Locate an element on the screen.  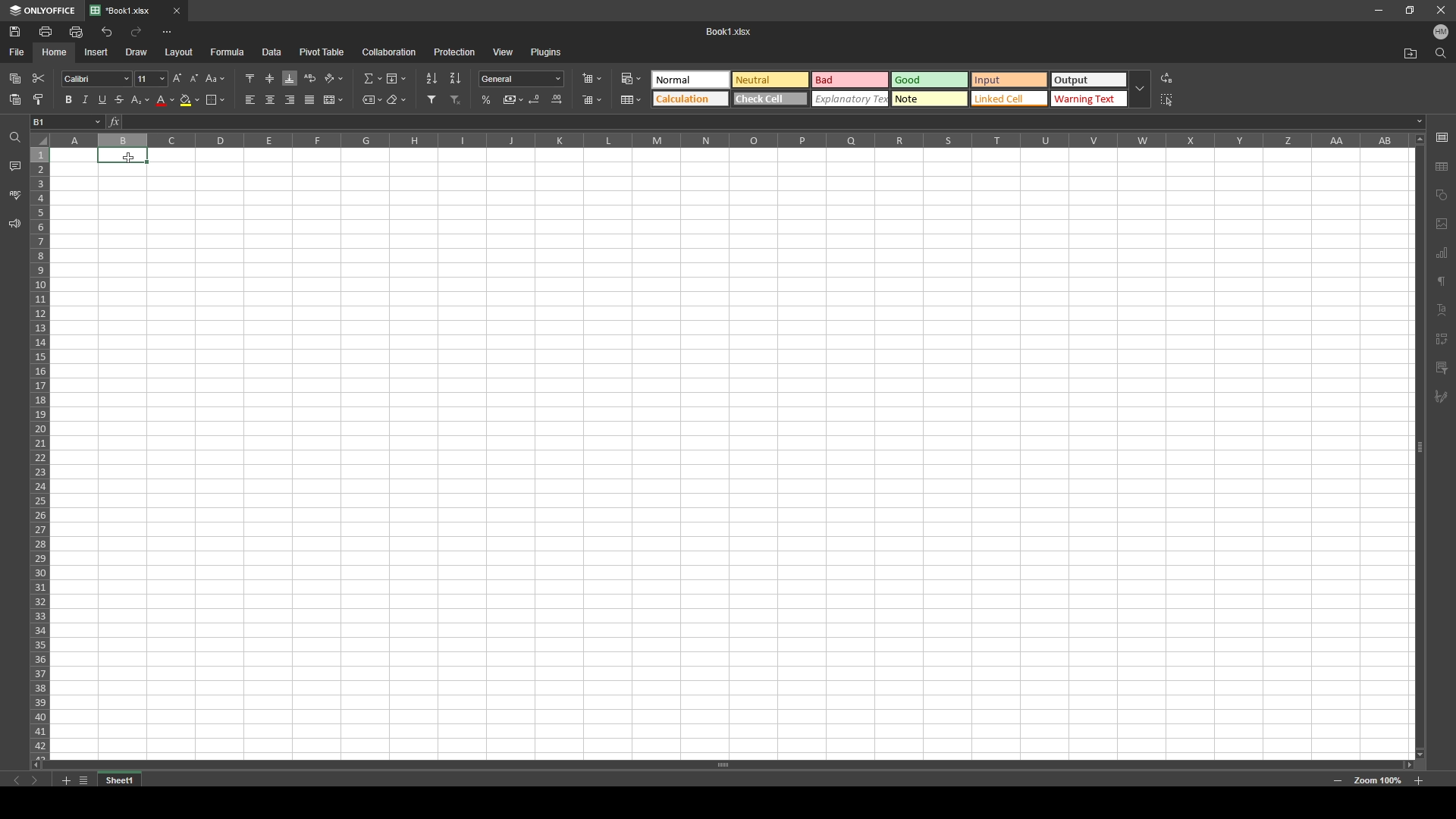
paste is located at coordinates (16, 100).